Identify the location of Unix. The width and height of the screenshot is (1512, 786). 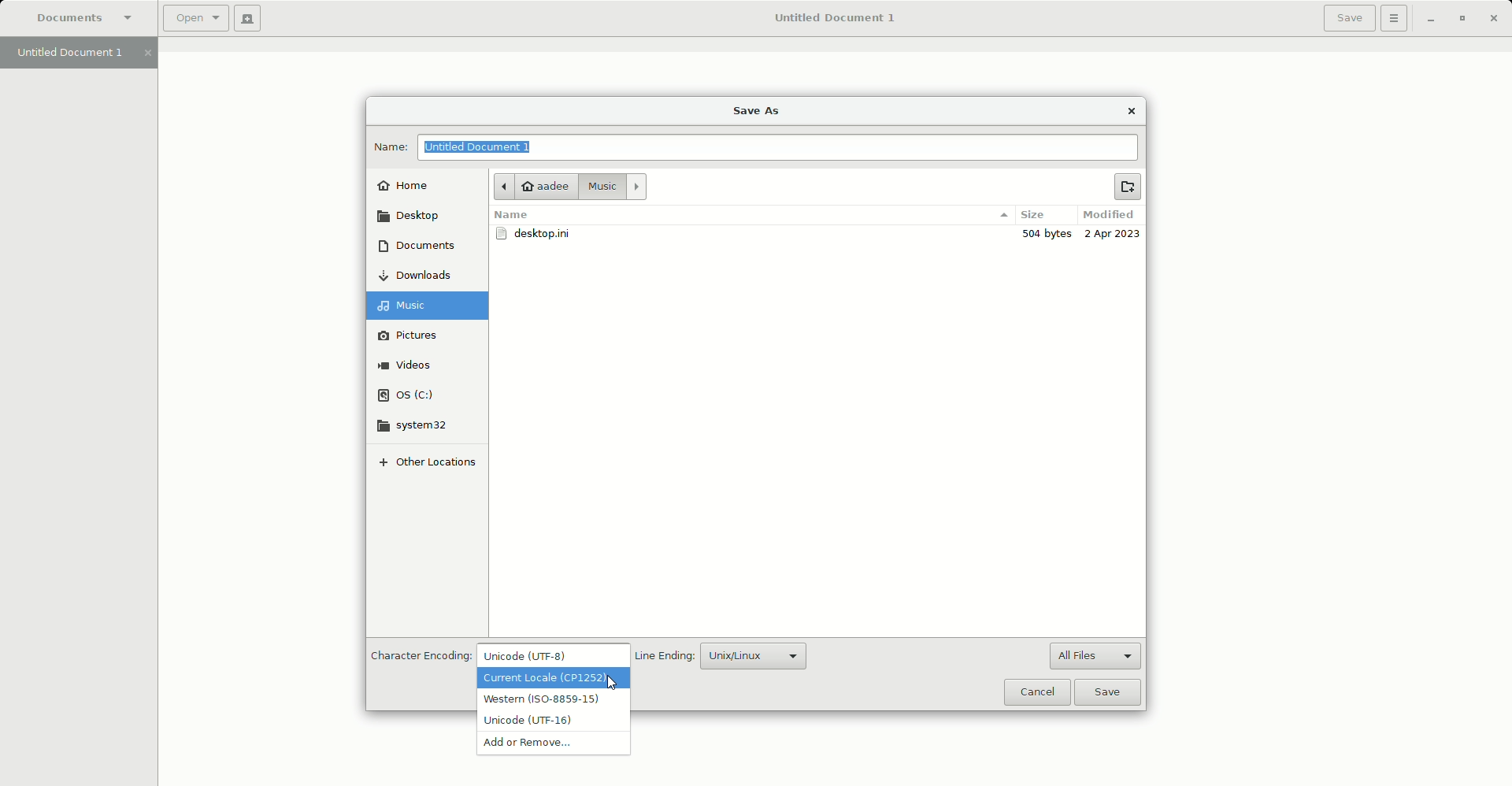
(750, 656).